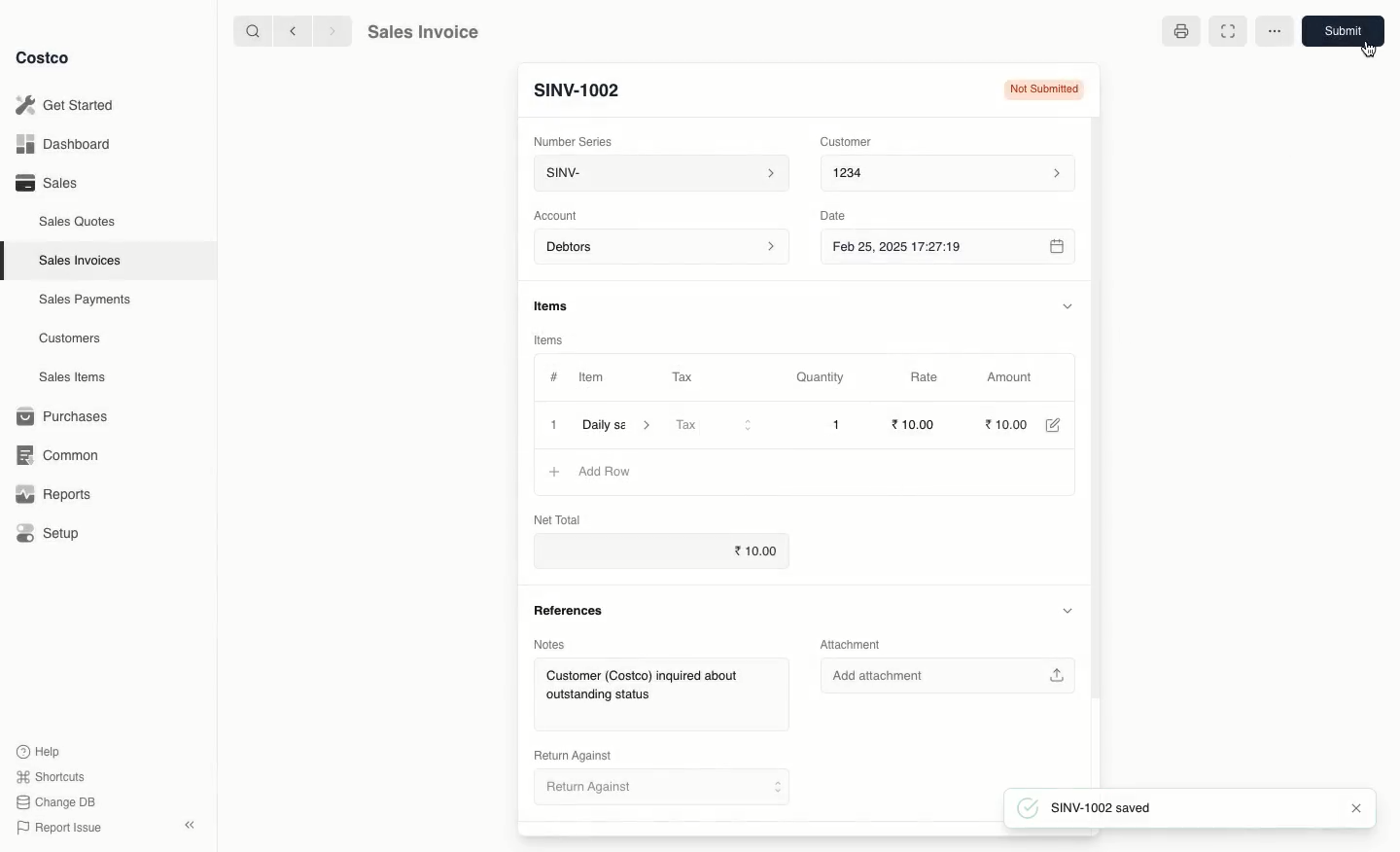 The width and height of the screenshot is (1400, 852). I want to click on ‘Amount, so click(1018, 378).